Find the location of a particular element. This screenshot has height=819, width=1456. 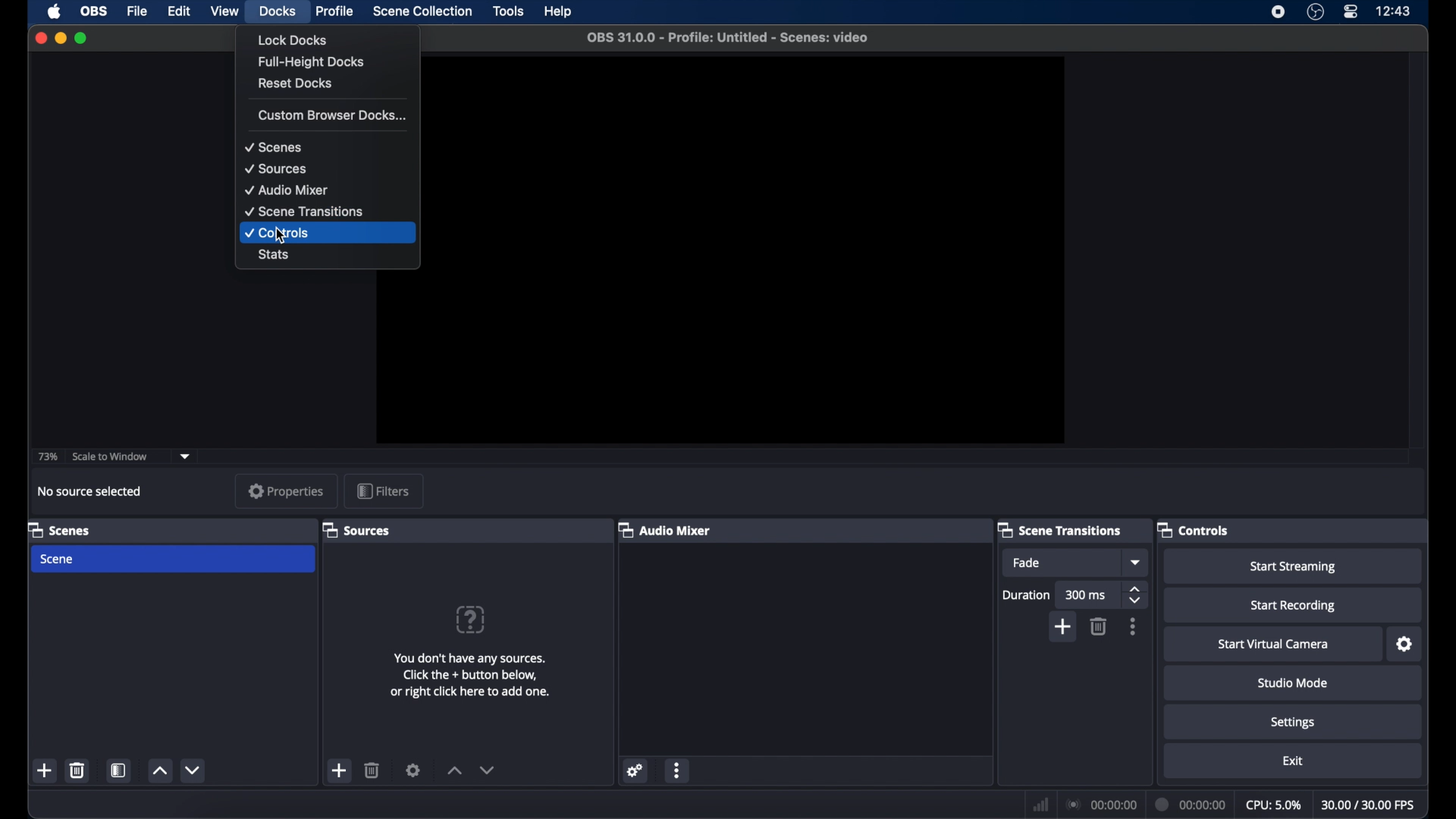

scenes is located at coordinates (274, 147).